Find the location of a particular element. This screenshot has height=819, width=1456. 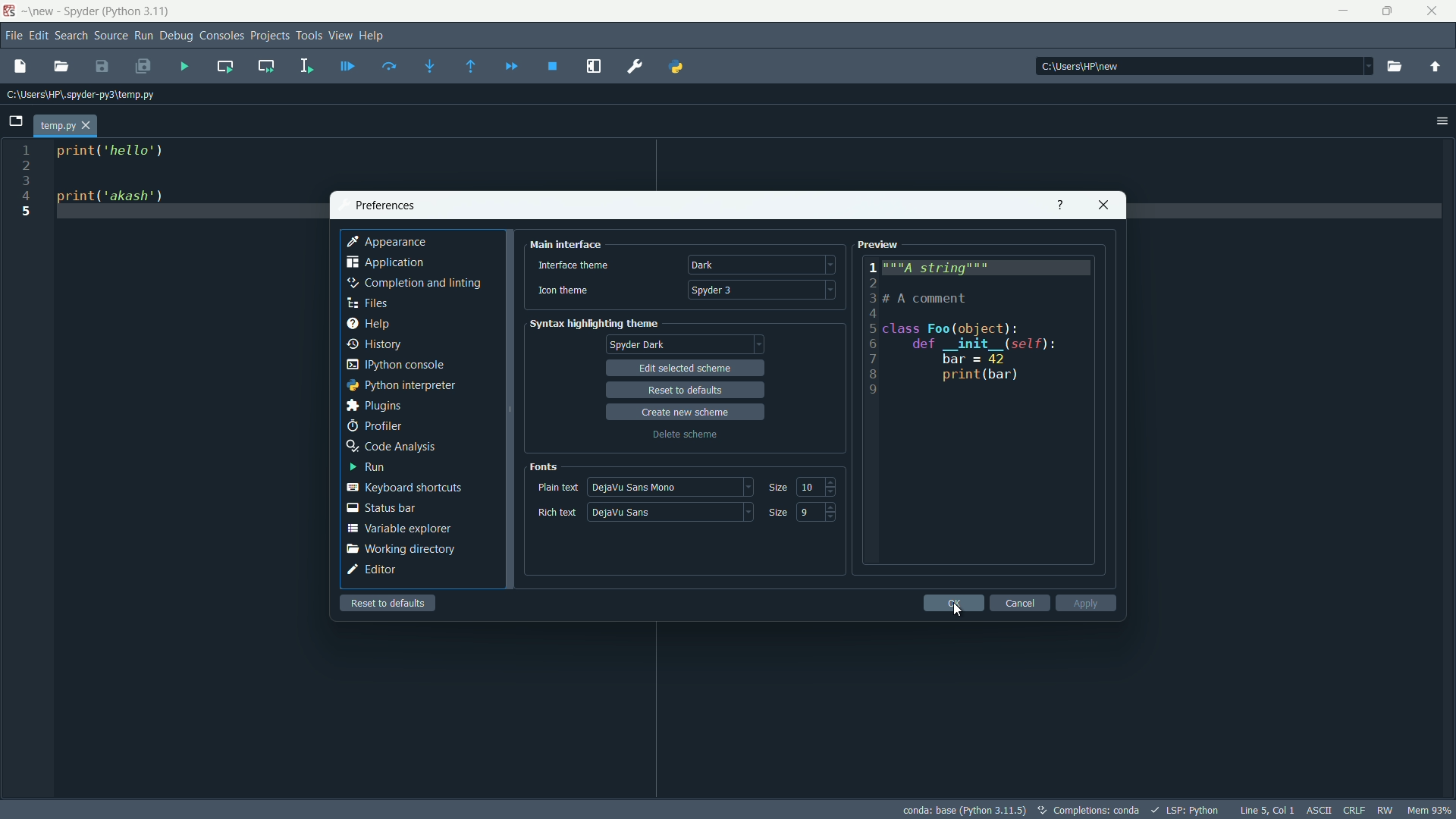

C:\Users\HP\spyder-py3\temp.py is located at coordinates (81, 96).